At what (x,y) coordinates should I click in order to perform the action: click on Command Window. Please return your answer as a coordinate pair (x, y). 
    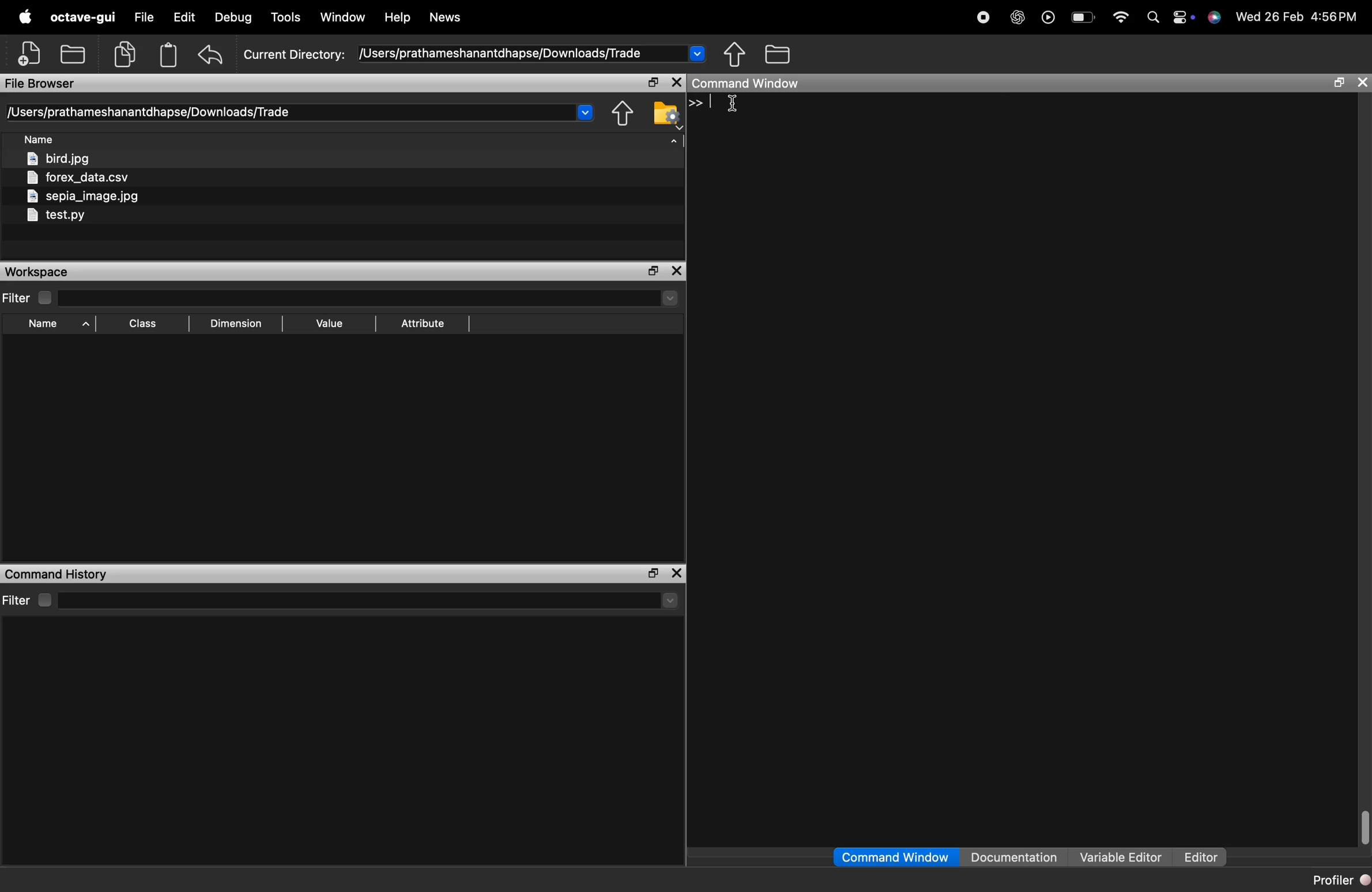
    Looking at the image, I should click on (896, 856).